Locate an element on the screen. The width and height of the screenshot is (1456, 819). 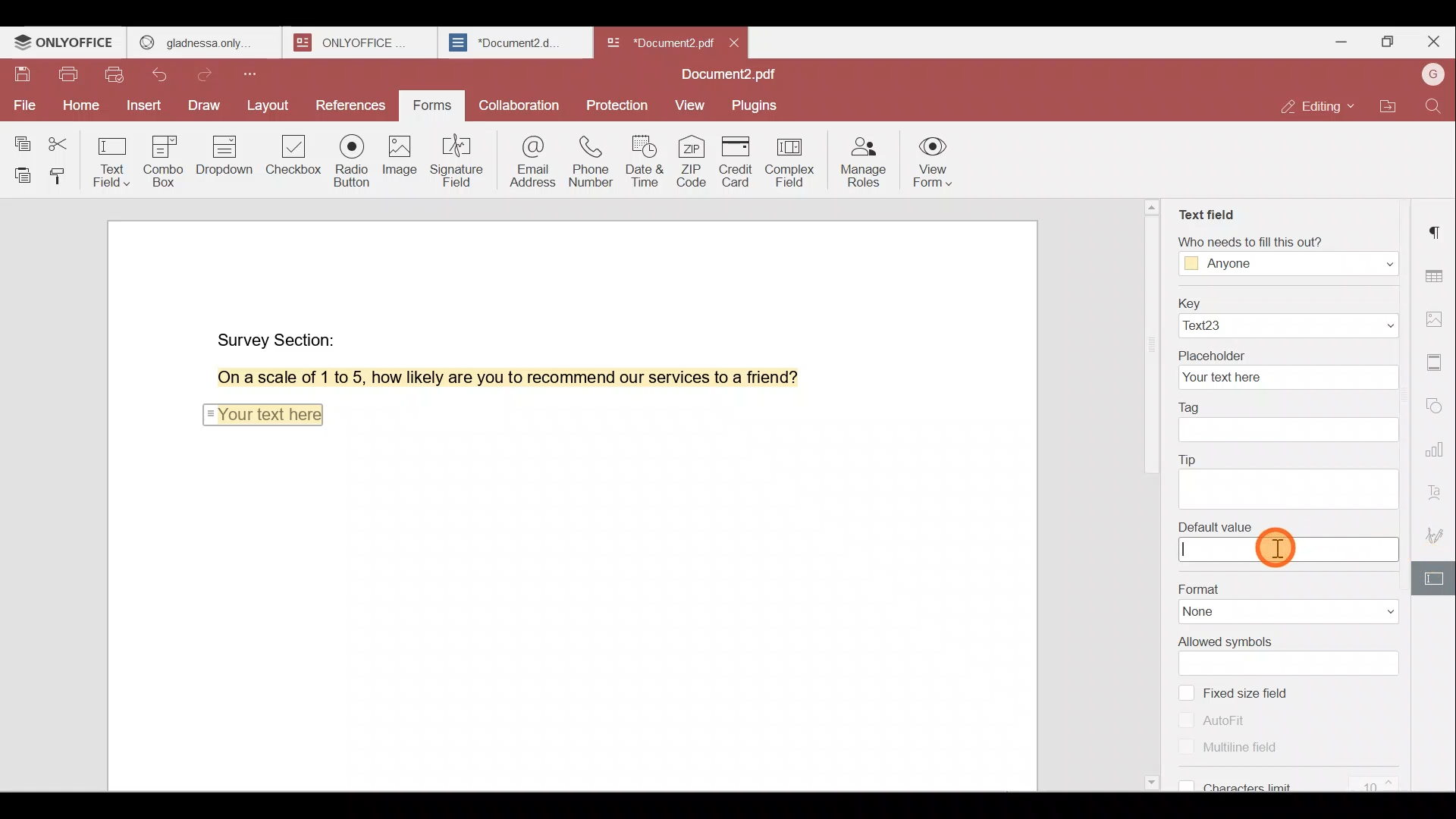
Signature settings is located at coordinates (1439, 534).